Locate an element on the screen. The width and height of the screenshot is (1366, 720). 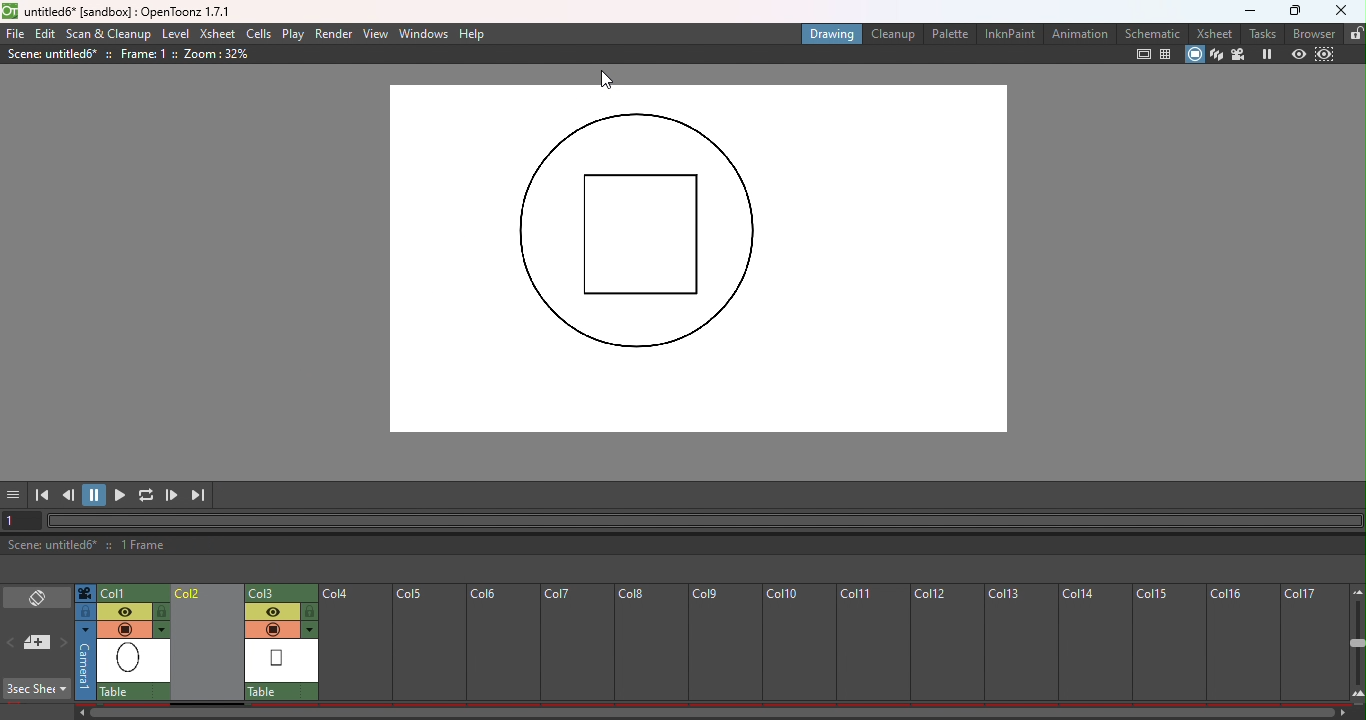
Horizontal scroll bar is located at coordinates (704, 711).